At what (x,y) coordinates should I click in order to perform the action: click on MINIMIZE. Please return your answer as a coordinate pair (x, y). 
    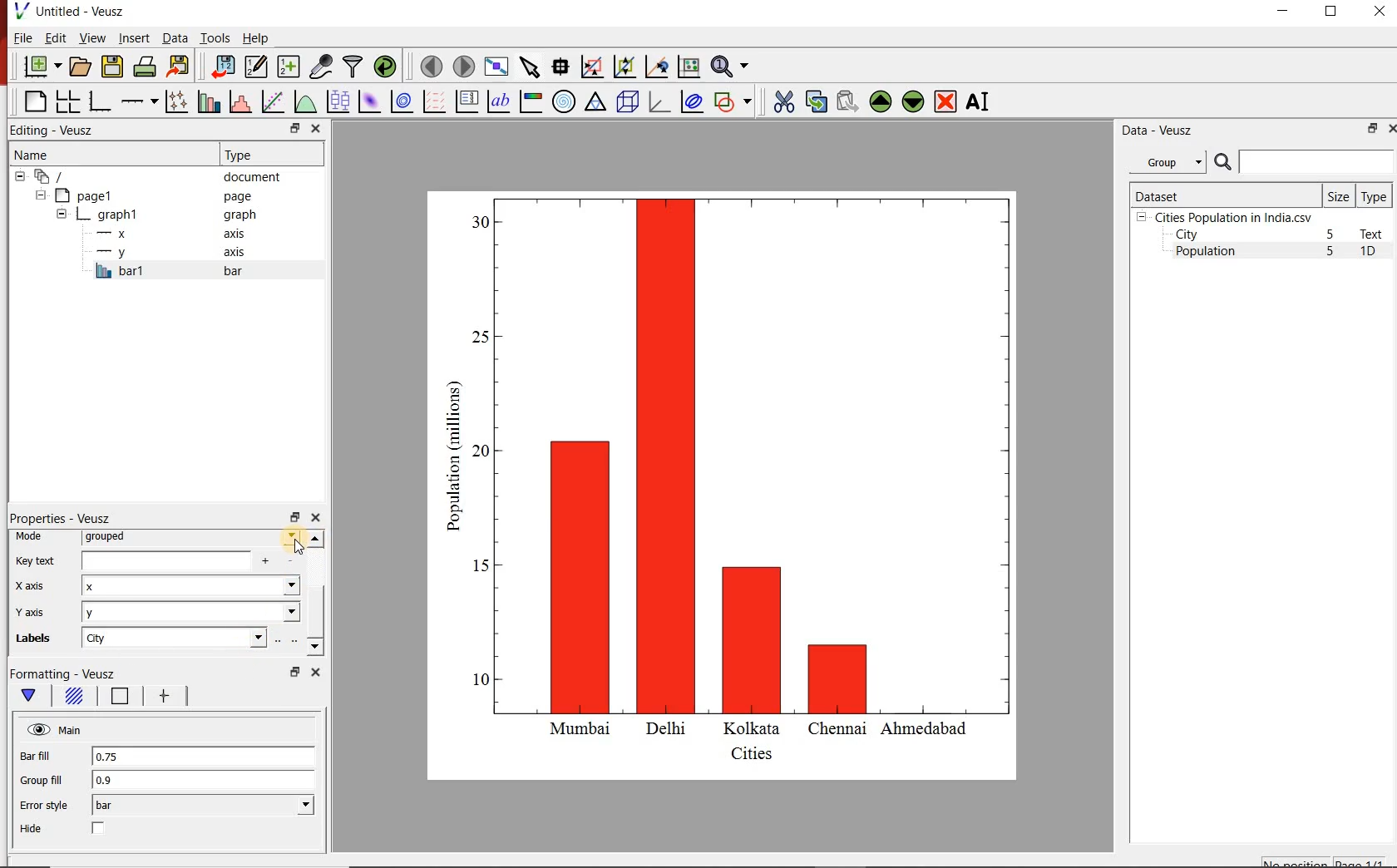
    Looking at the image, I should click on (1284, 11).